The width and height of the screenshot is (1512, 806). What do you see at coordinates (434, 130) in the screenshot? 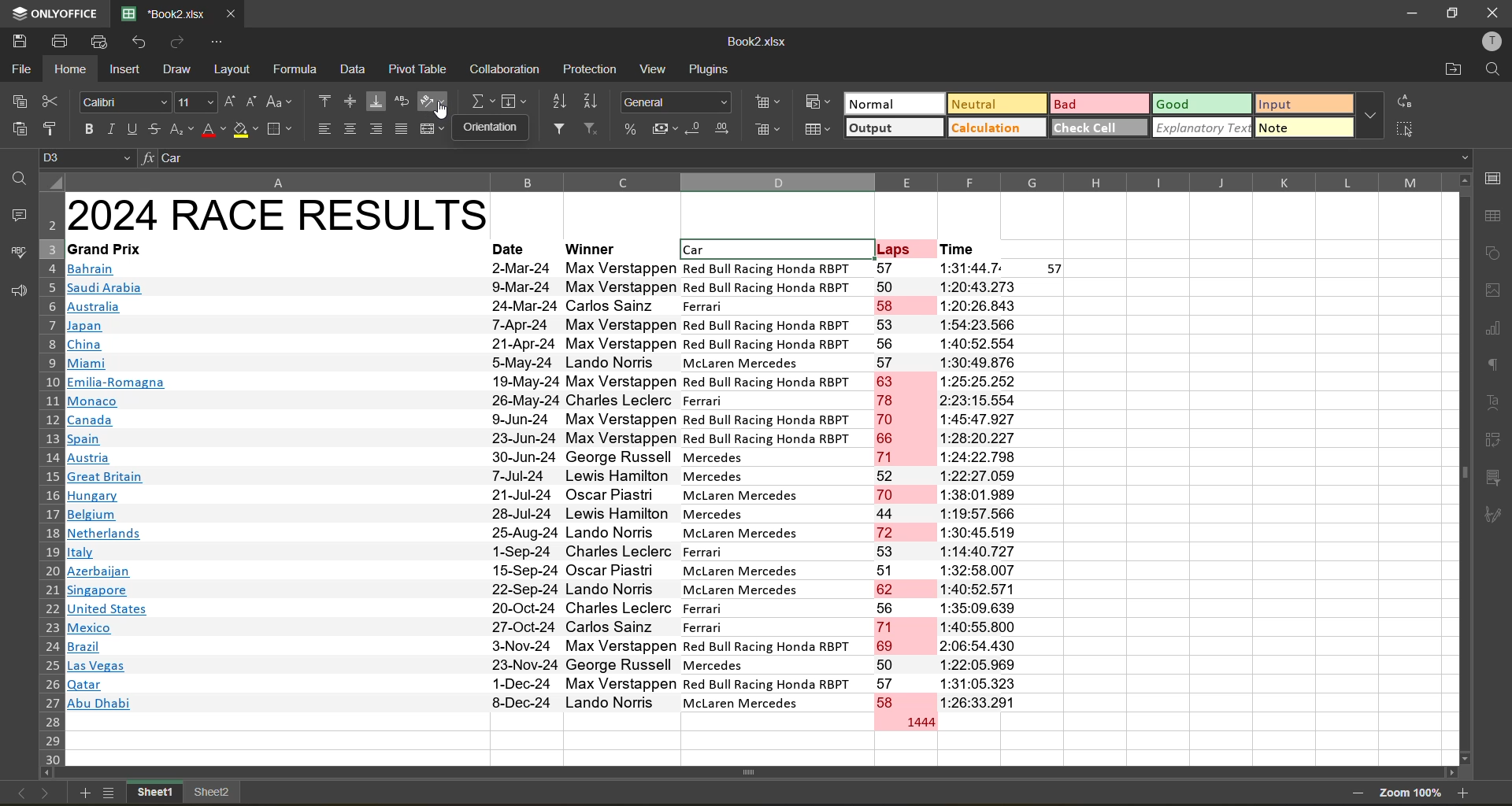
I see `merge and center` at bounding box center [434, 130].